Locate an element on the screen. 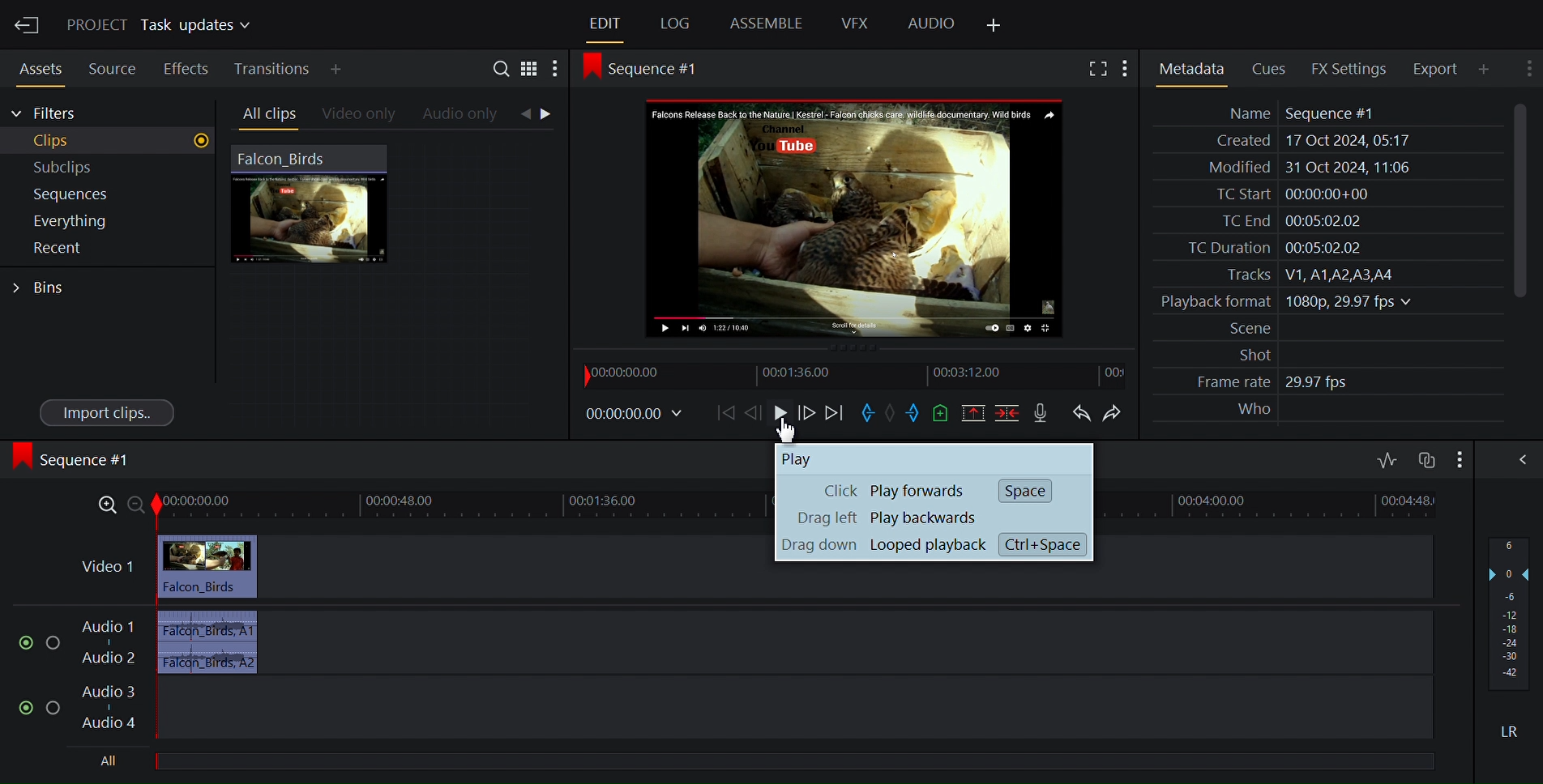 This screenshot has height=784, width=1543. Mute/unmute is located at coordinates (23, 706).